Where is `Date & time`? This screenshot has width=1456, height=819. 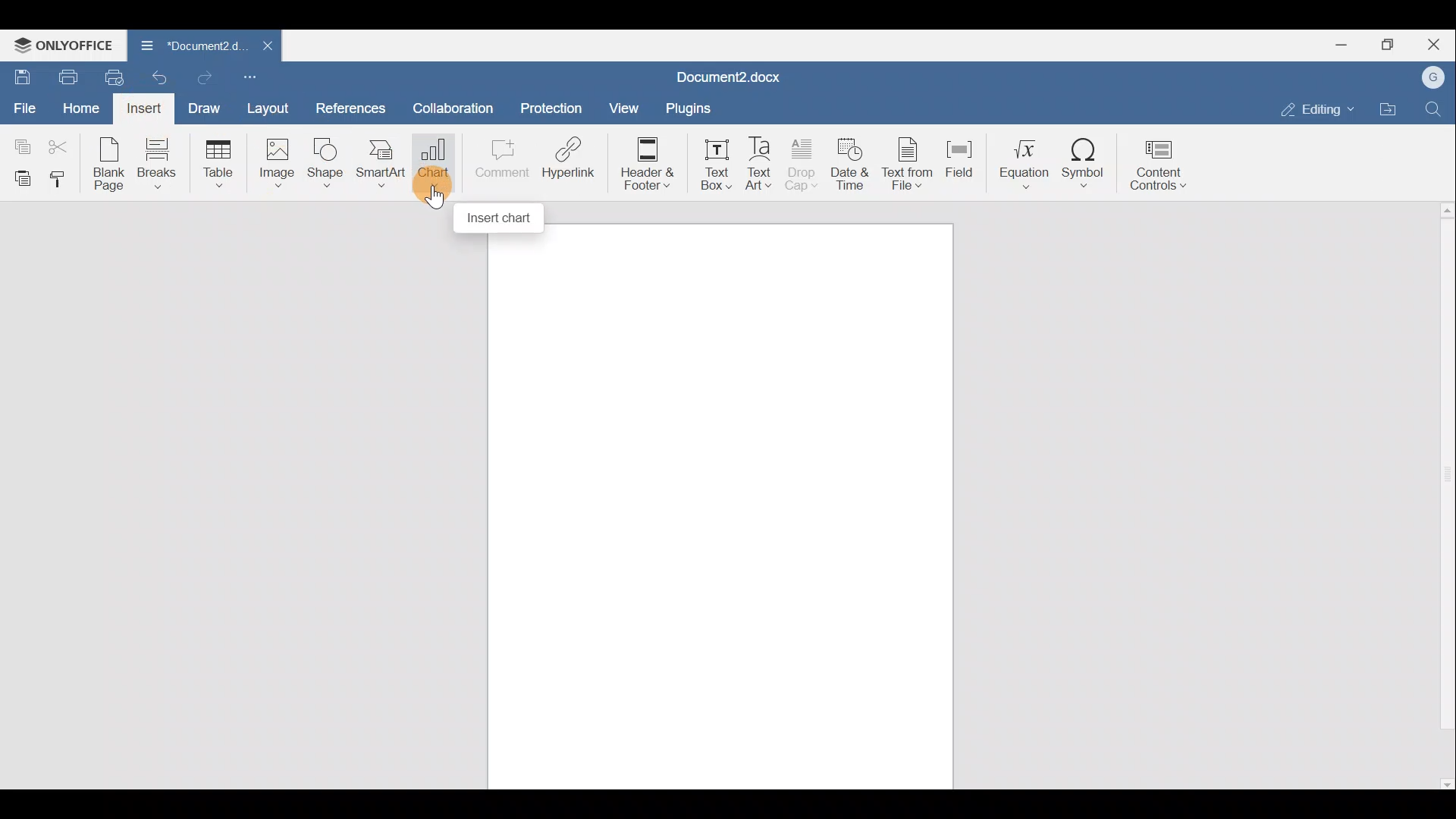
Date & time is located at coordinates (852, 162).